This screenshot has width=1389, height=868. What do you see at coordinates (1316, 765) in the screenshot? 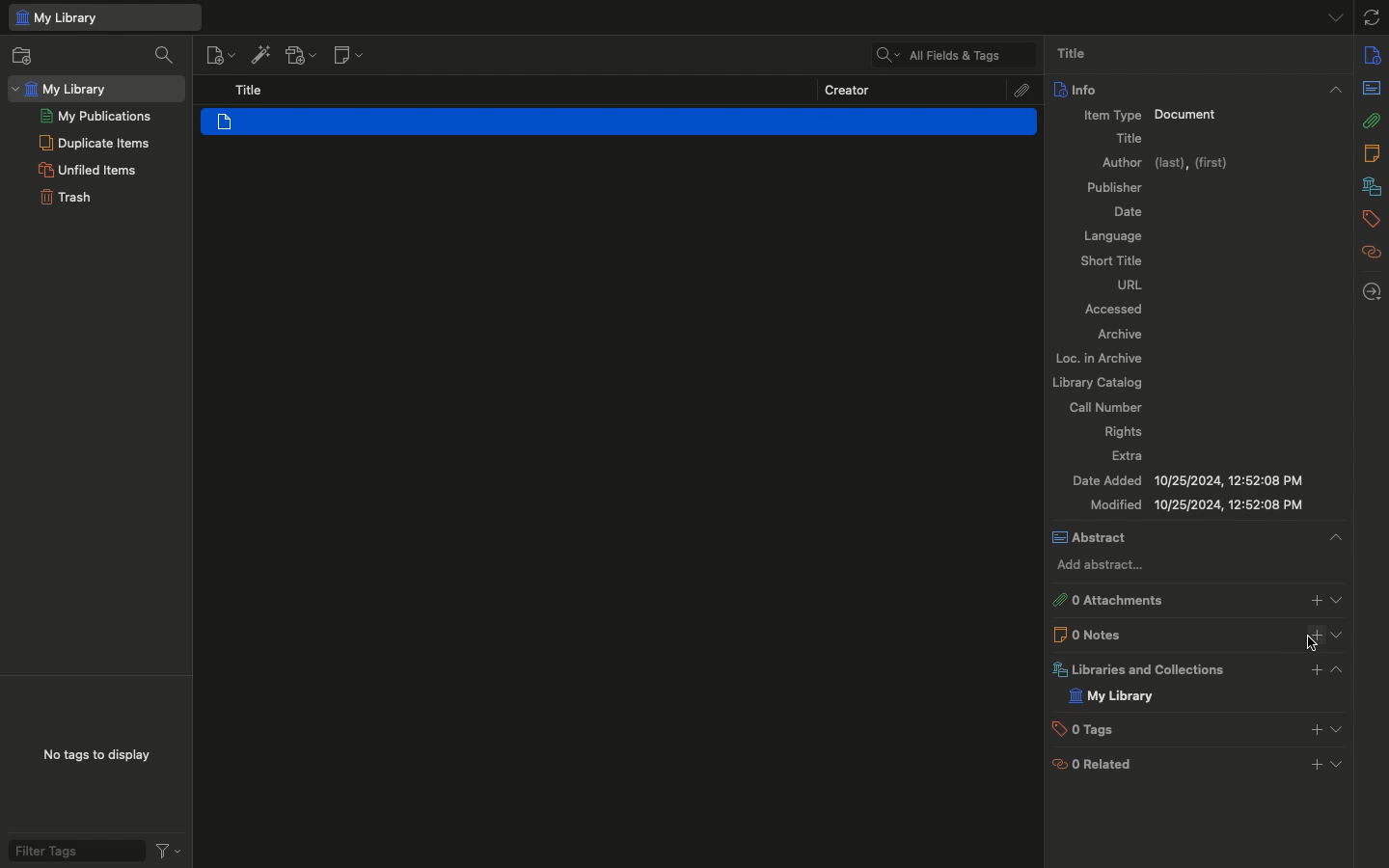
I see `Add` at bounding box center [1316, 765].